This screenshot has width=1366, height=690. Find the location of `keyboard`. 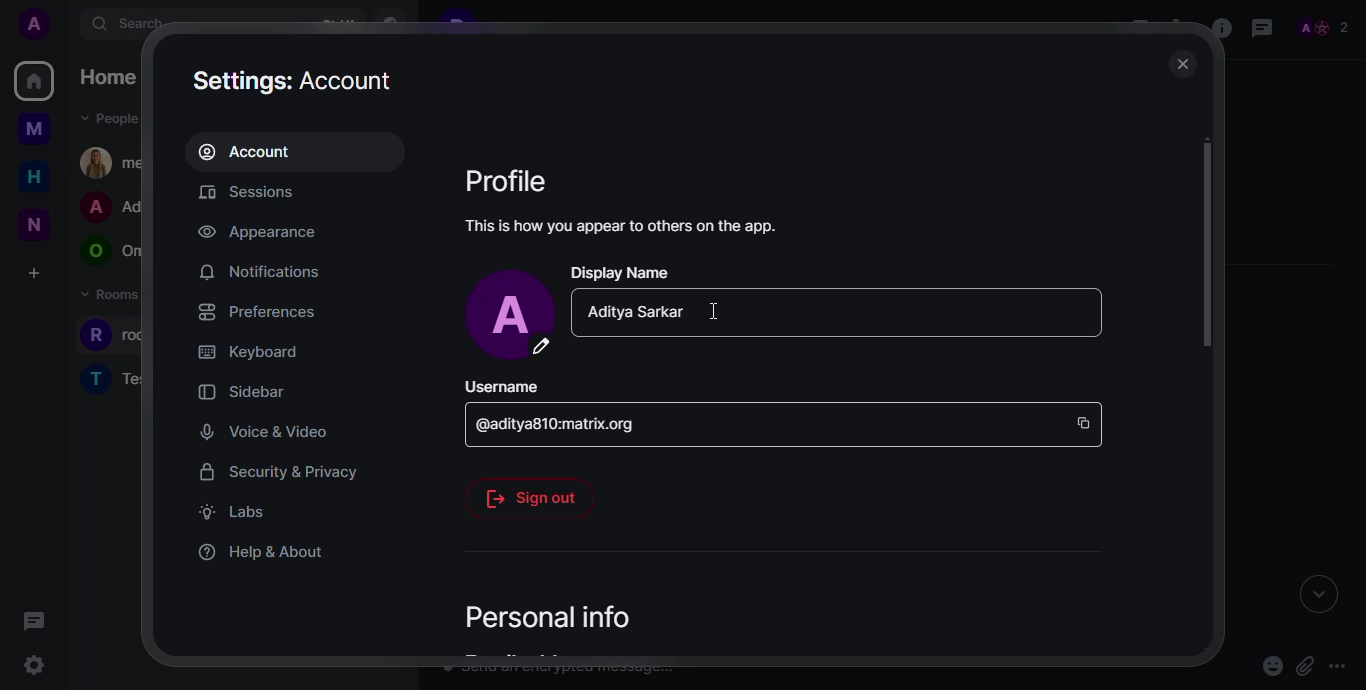

keyboard is located at coordinates (248, 350).